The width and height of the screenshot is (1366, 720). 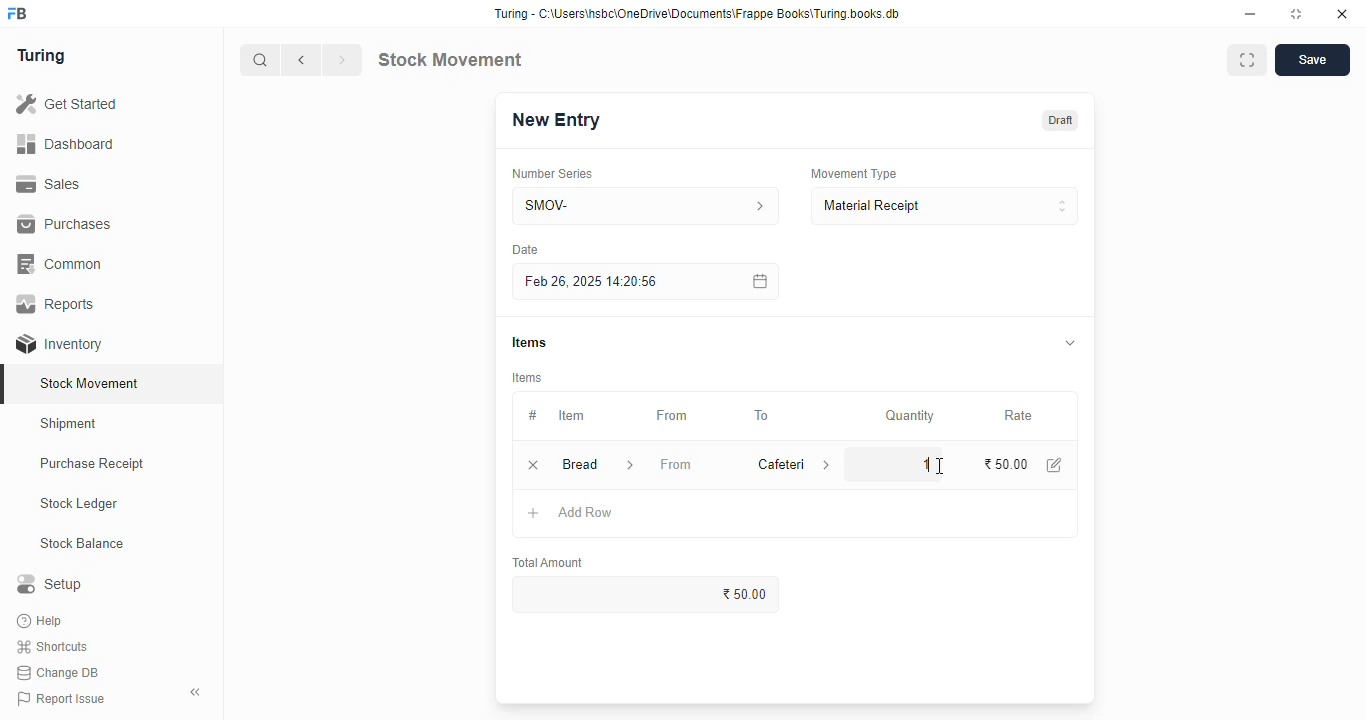 What do you see at coordinates (698, 14) in the screenshot?
I see `Turing - C:\Users\nsbc\OneDrive\Documents\Frappe Books\Turing books.db` at bounding box center [698, 14].